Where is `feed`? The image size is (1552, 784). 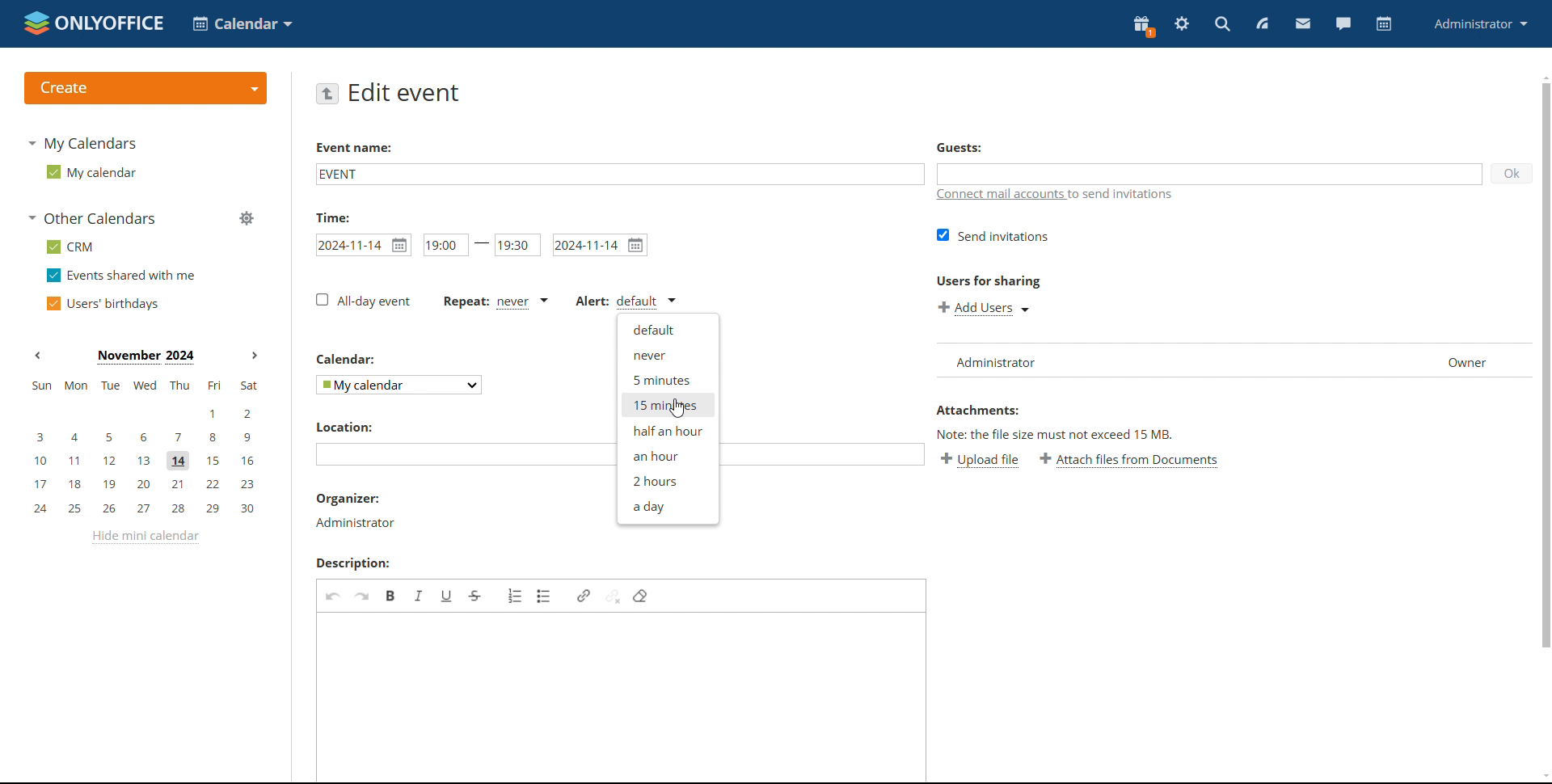 feed is located at coordinates (1263, 23).